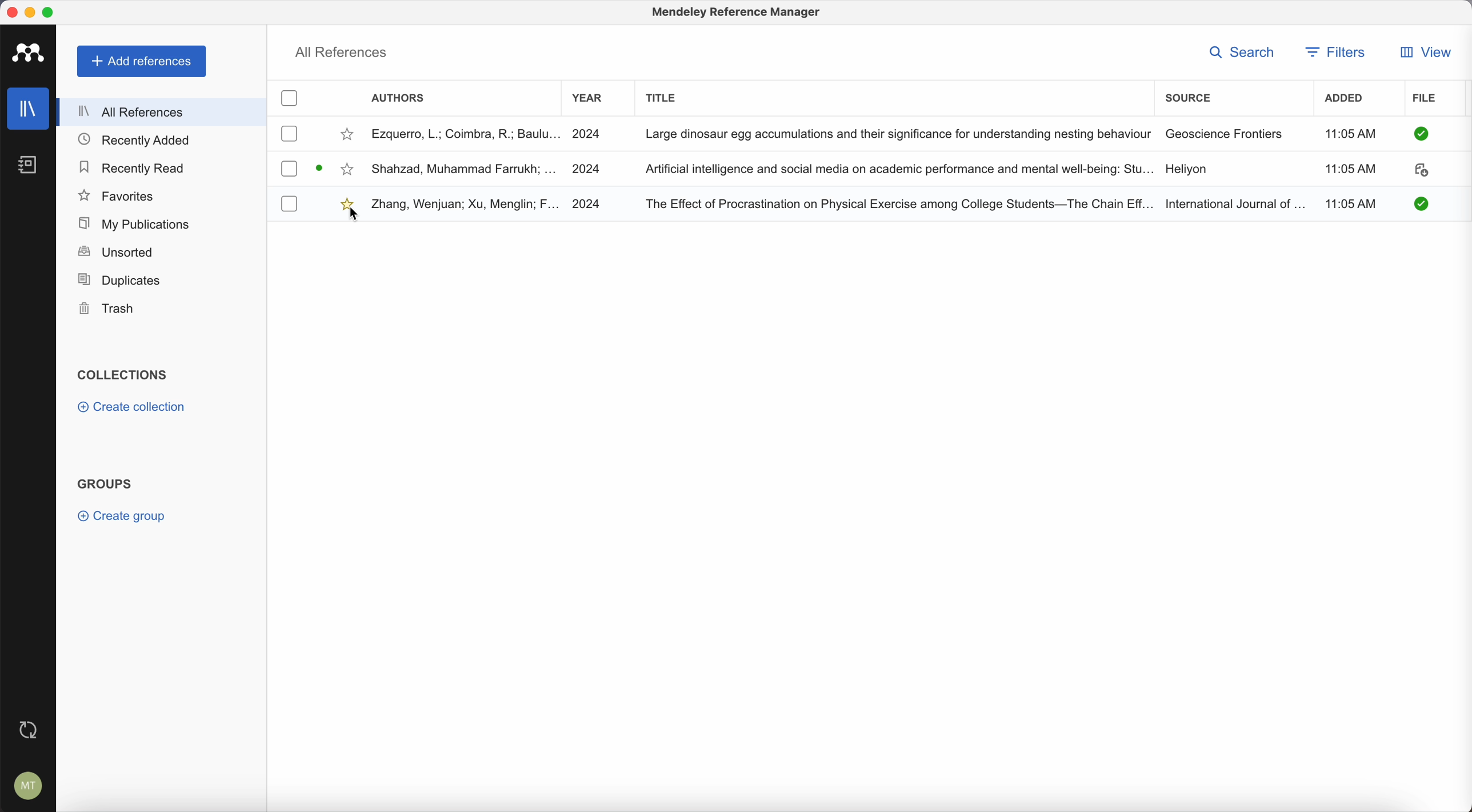  What do you see at coordinates (356, 217) in the screenshot?
I see `cursor` at bounding box center [356, 217].